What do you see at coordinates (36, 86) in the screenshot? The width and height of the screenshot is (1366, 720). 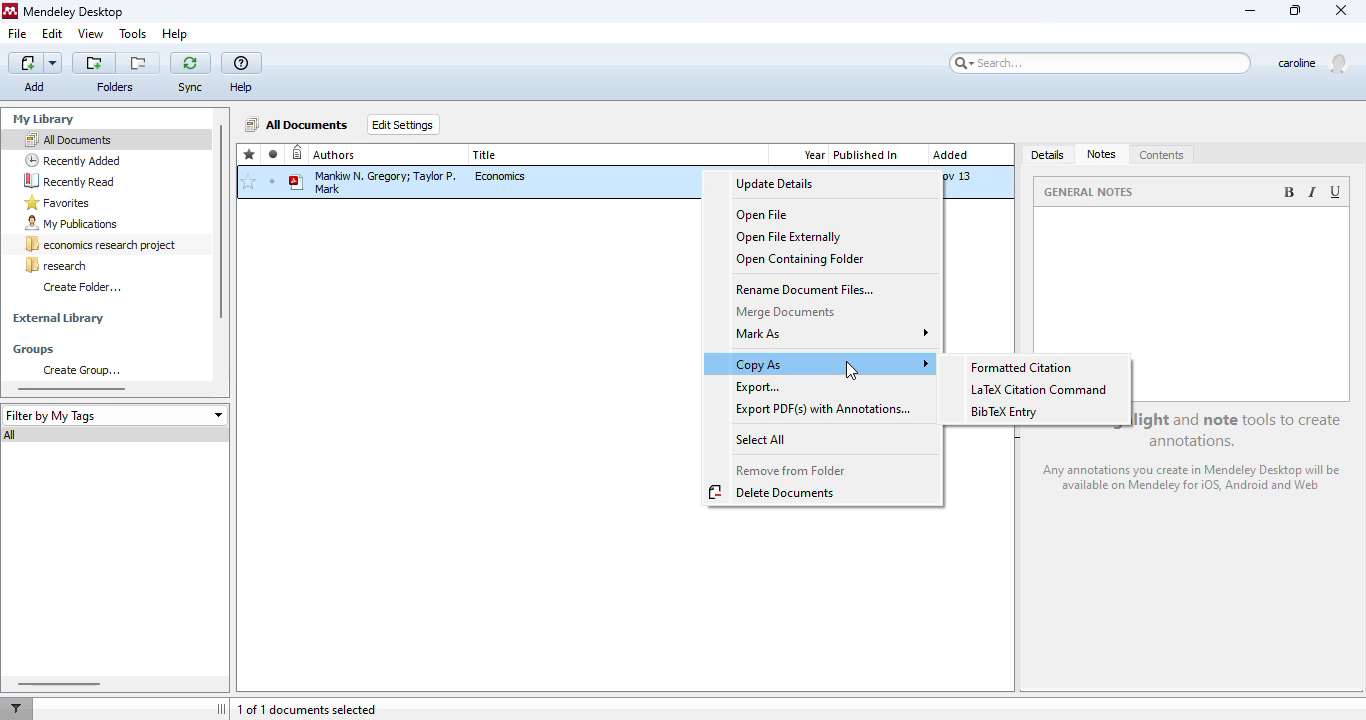 I see `Add` at bounding box center [36, 86].